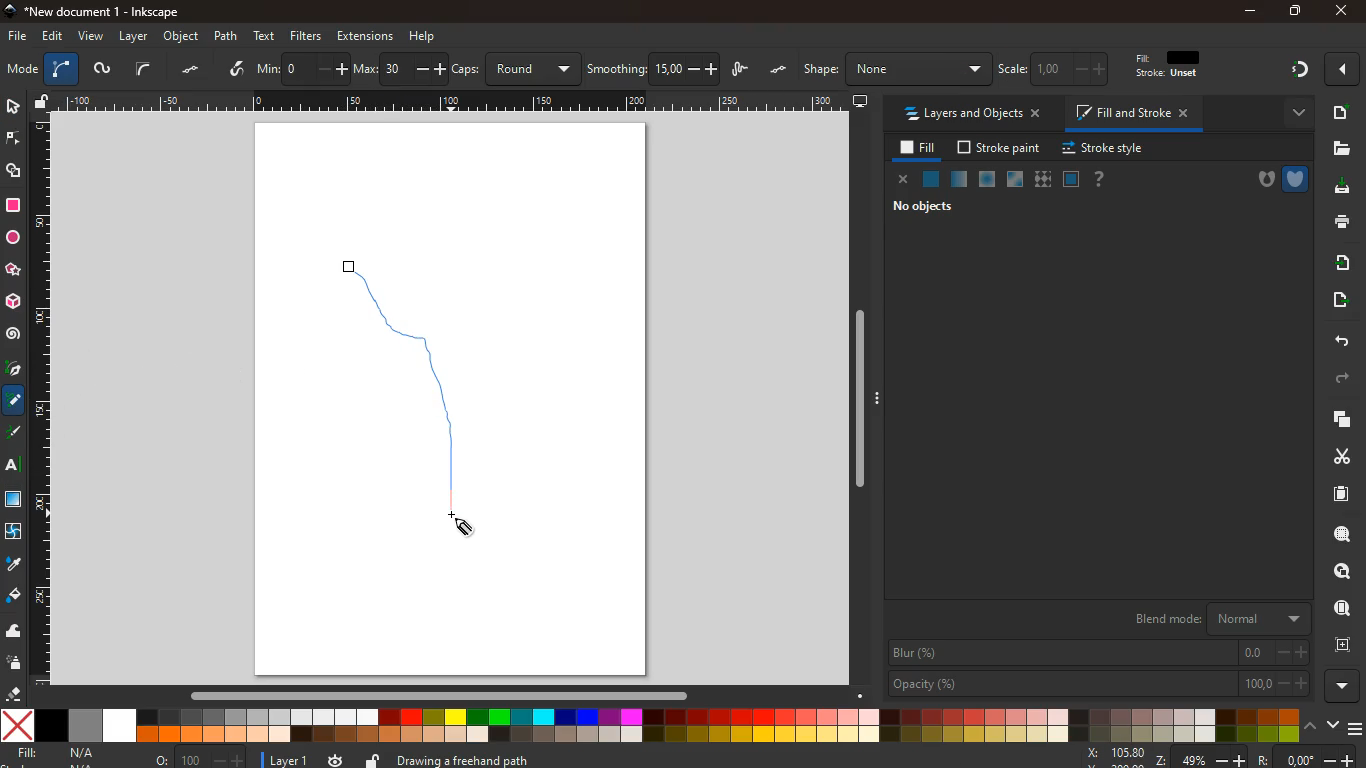 The image size is (1366, 768). I want to click on extensions, so click(365, 35).